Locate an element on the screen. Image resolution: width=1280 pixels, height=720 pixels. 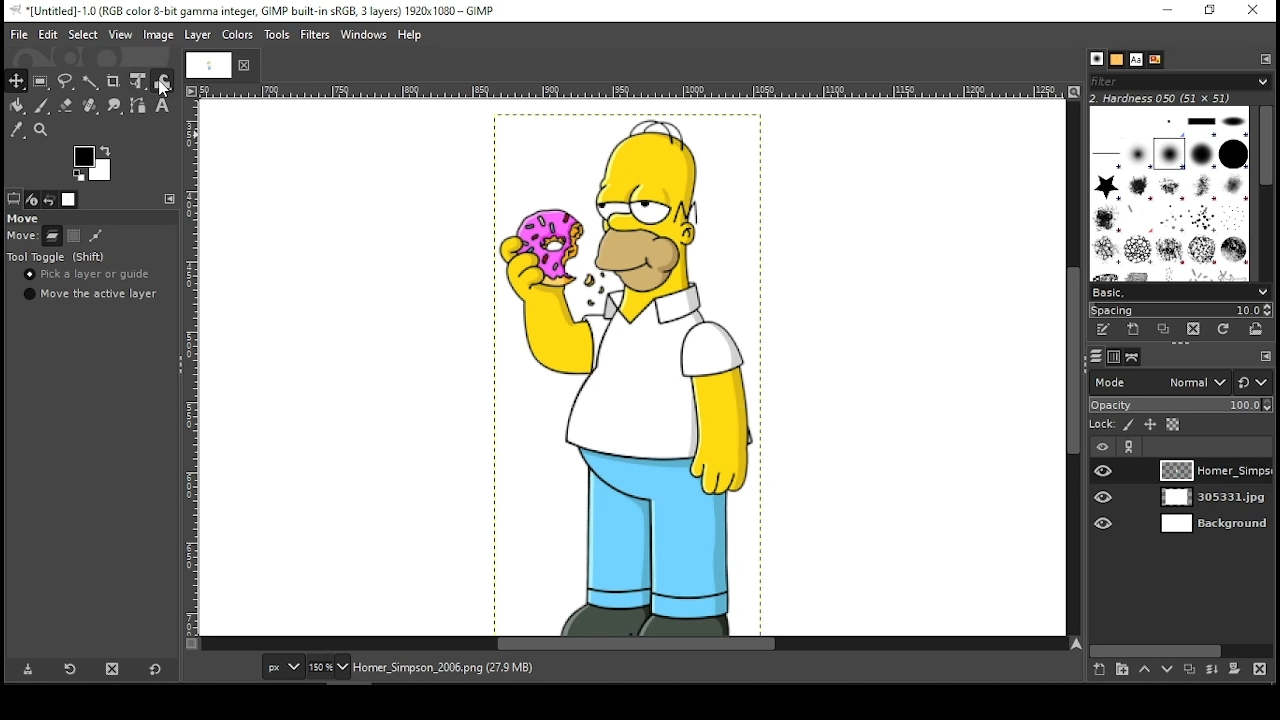
edit this brush is located at coordinates (1103, 330).